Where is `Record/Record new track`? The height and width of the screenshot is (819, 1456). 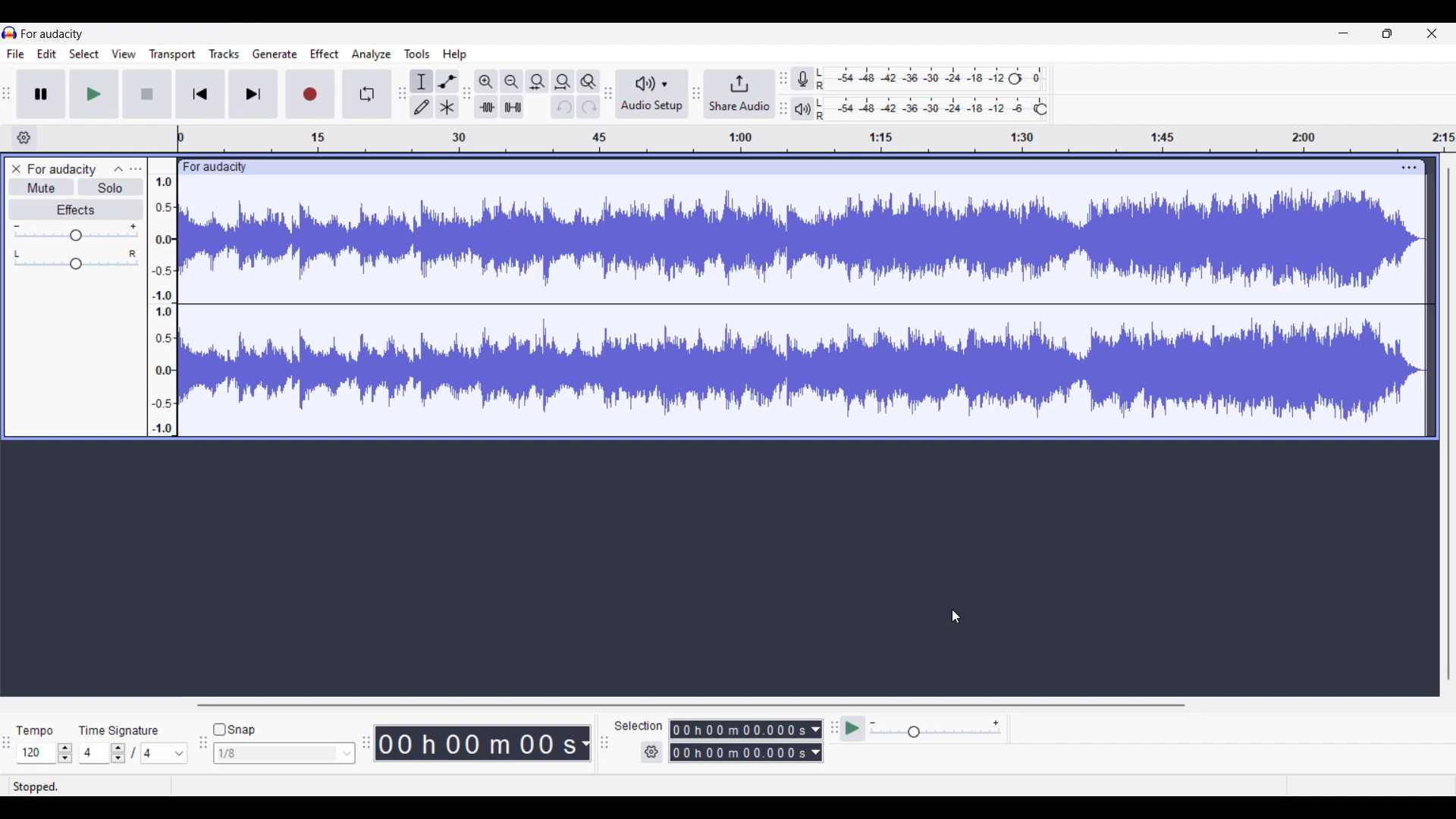 Record/Record new track is located at coordinates (310, 94).